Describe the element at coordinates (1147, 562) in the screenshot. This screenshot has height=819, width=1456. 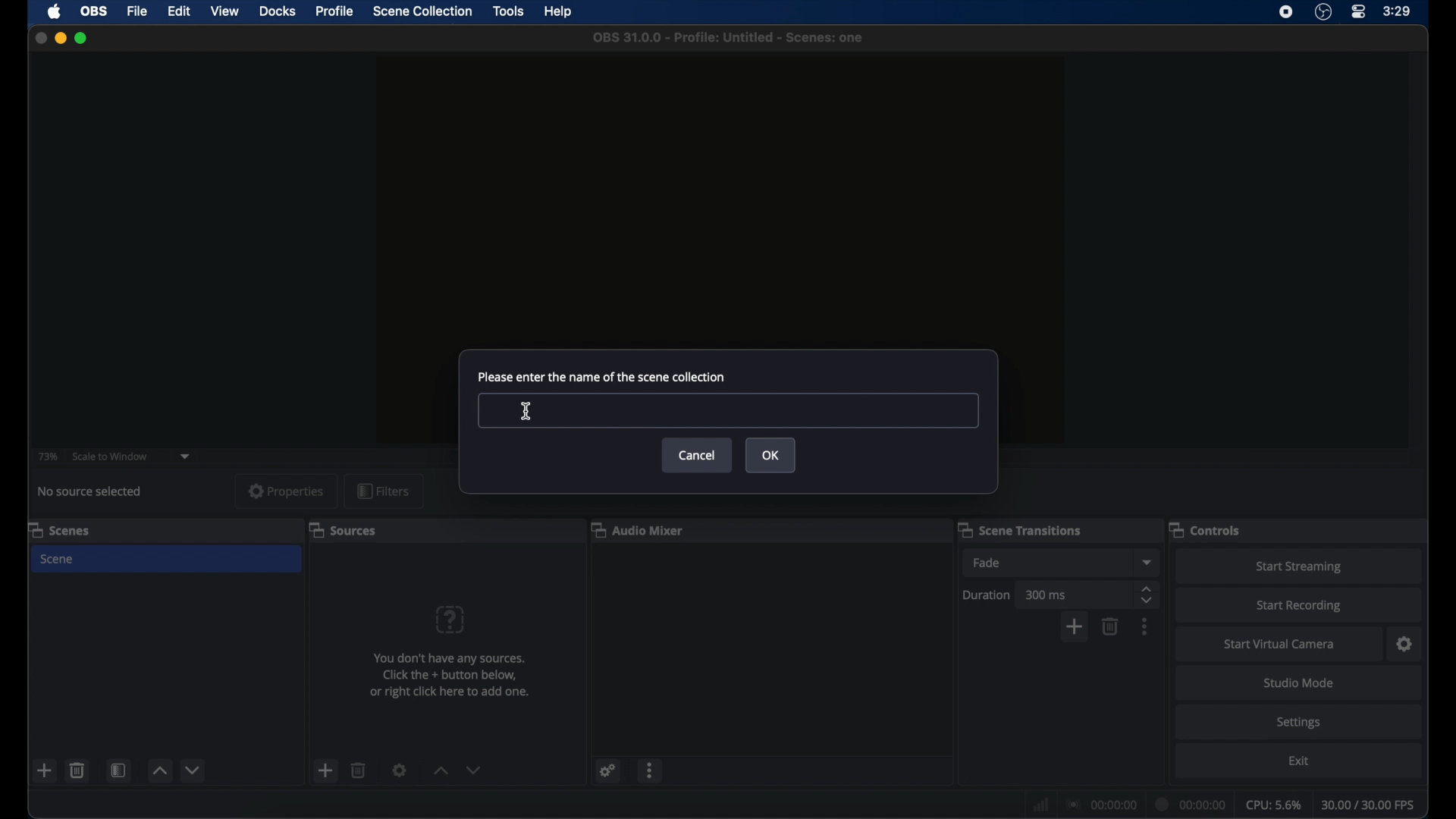
I see `dropdown menu` at that location.